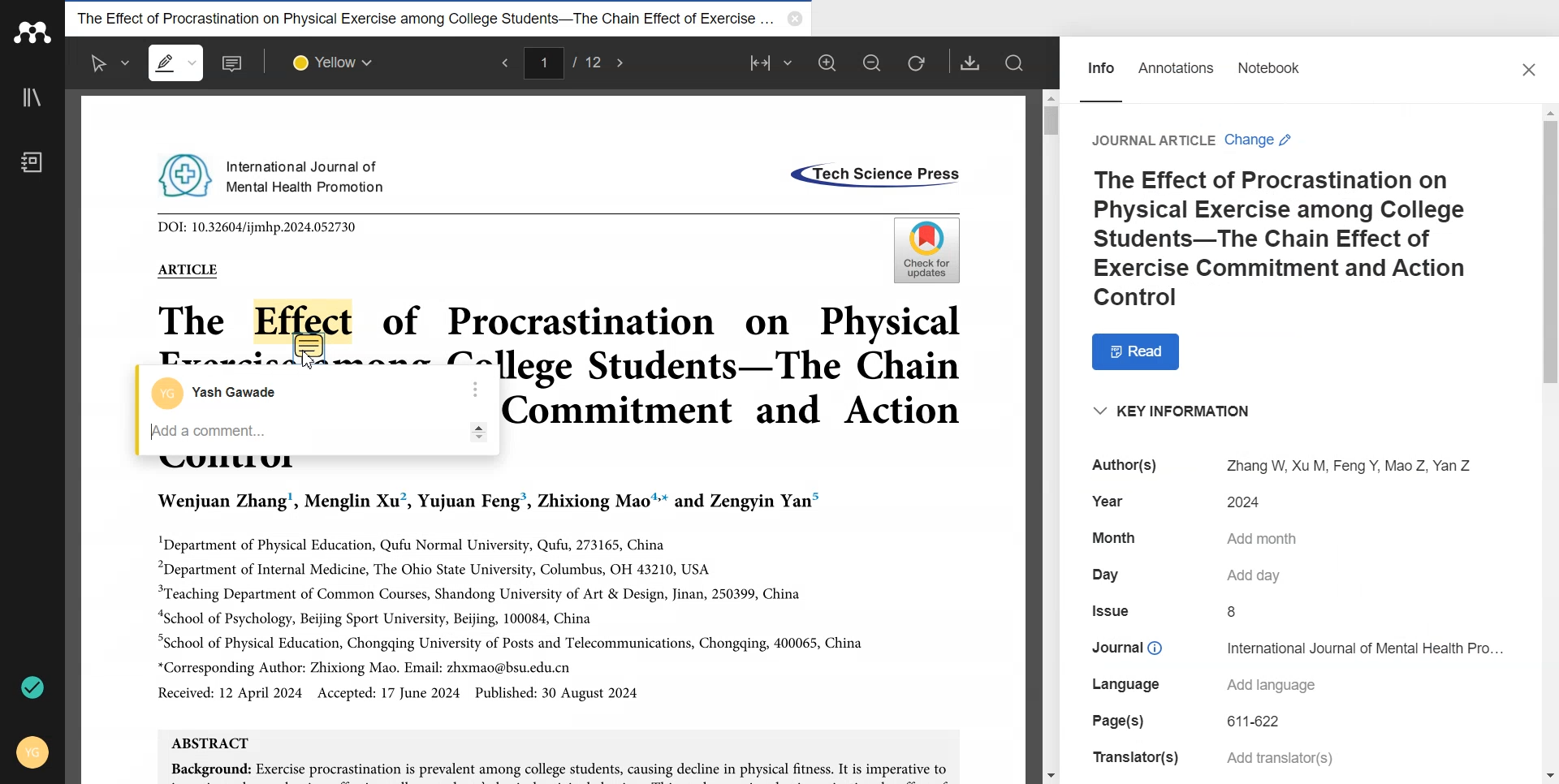 Image resolution: width=1559 pixels, height=784 pixels. What do you see at coordinates (187, 269) in the screenshot?
I see `ARTICLE` at bounding box center [187, 269].